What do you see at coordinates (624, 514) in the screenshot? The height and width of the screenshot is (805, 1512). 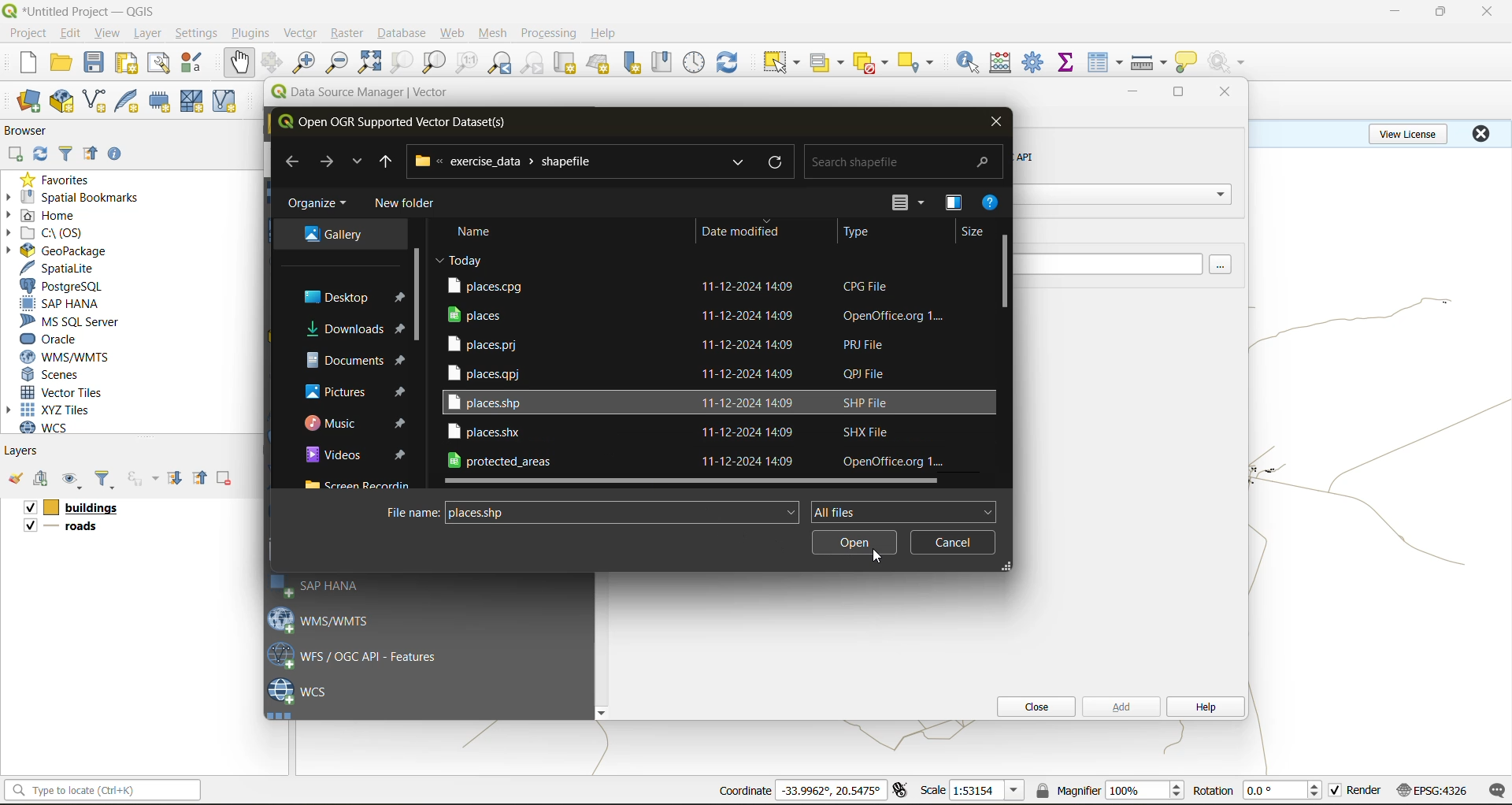 I see `file name` at bounding box center [624, 514].